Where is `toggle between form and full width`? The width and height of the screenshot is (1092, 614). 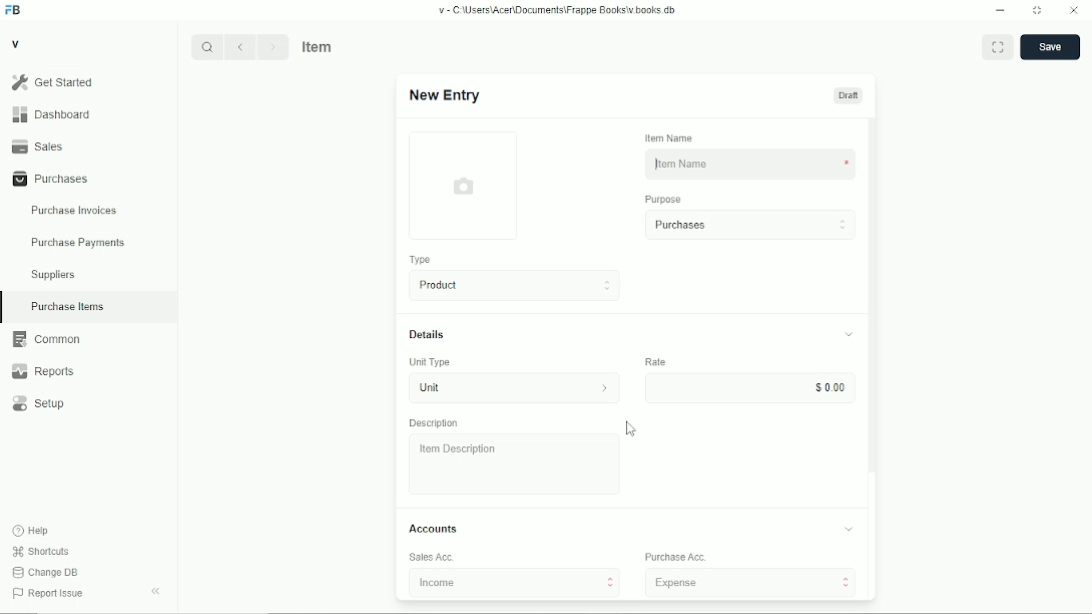
toggle between form and full width is located at coordinates (998, 46).